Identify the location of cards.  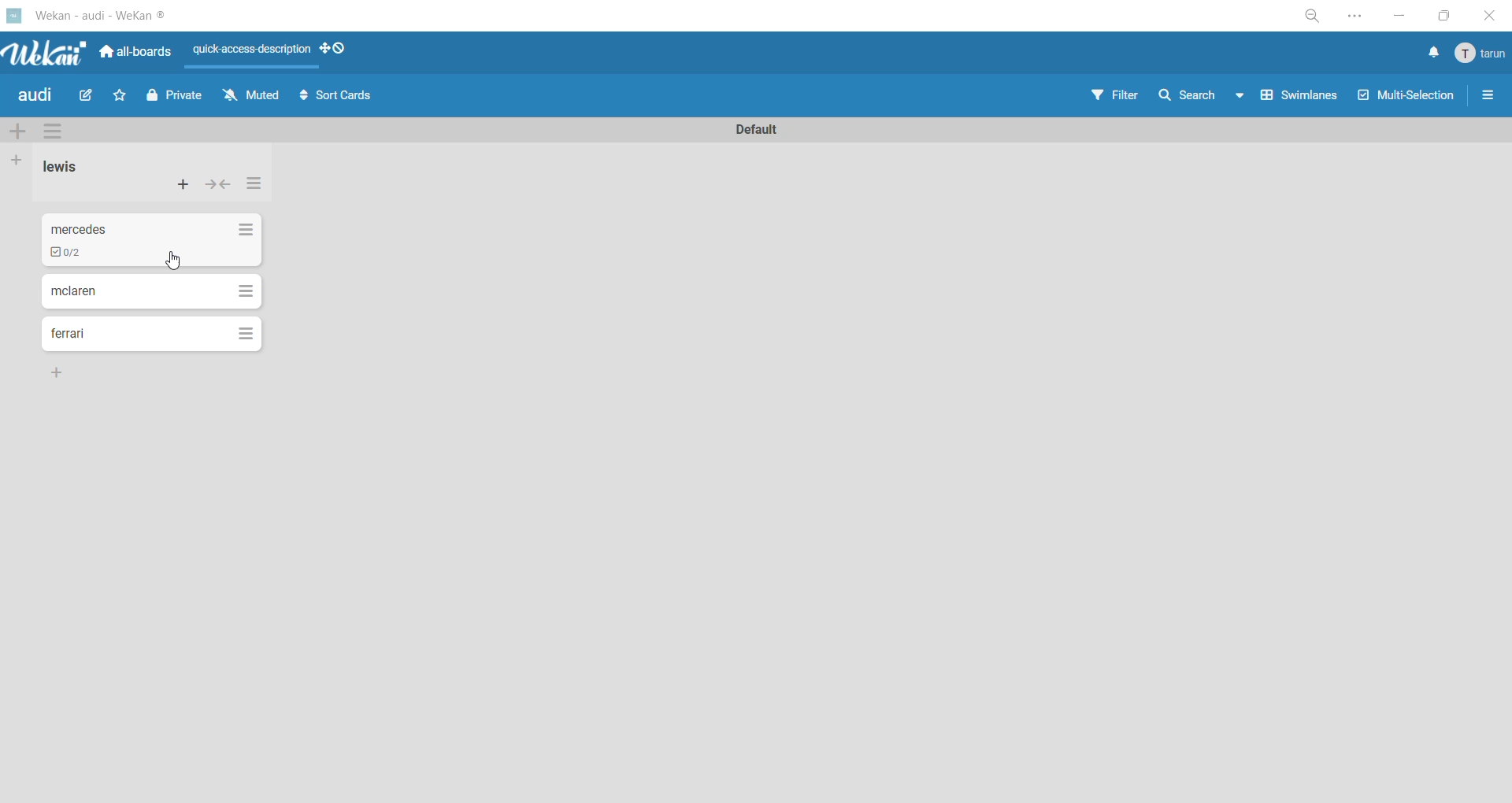
(146, 238).